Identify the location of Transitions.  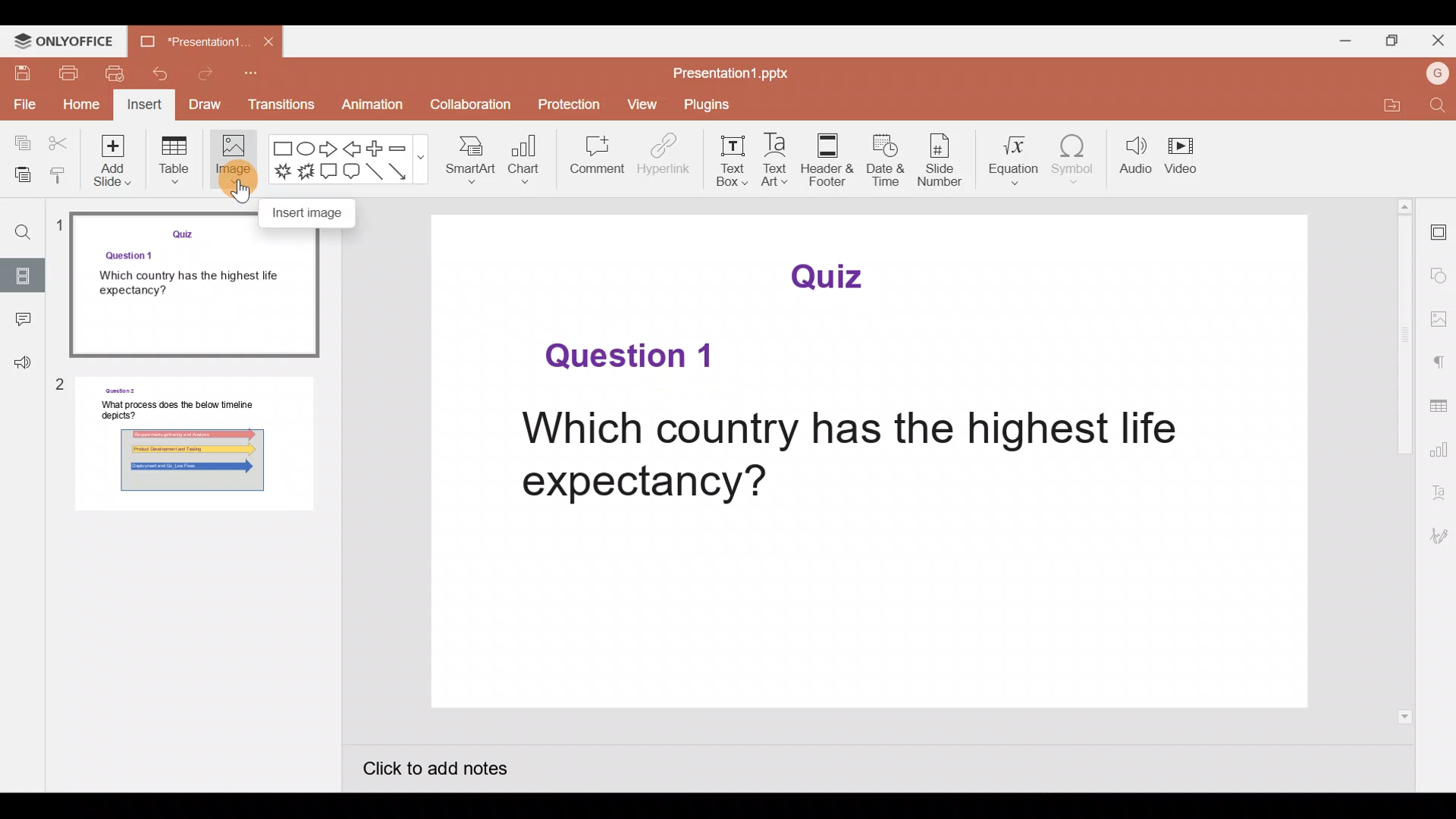
(282, 105).